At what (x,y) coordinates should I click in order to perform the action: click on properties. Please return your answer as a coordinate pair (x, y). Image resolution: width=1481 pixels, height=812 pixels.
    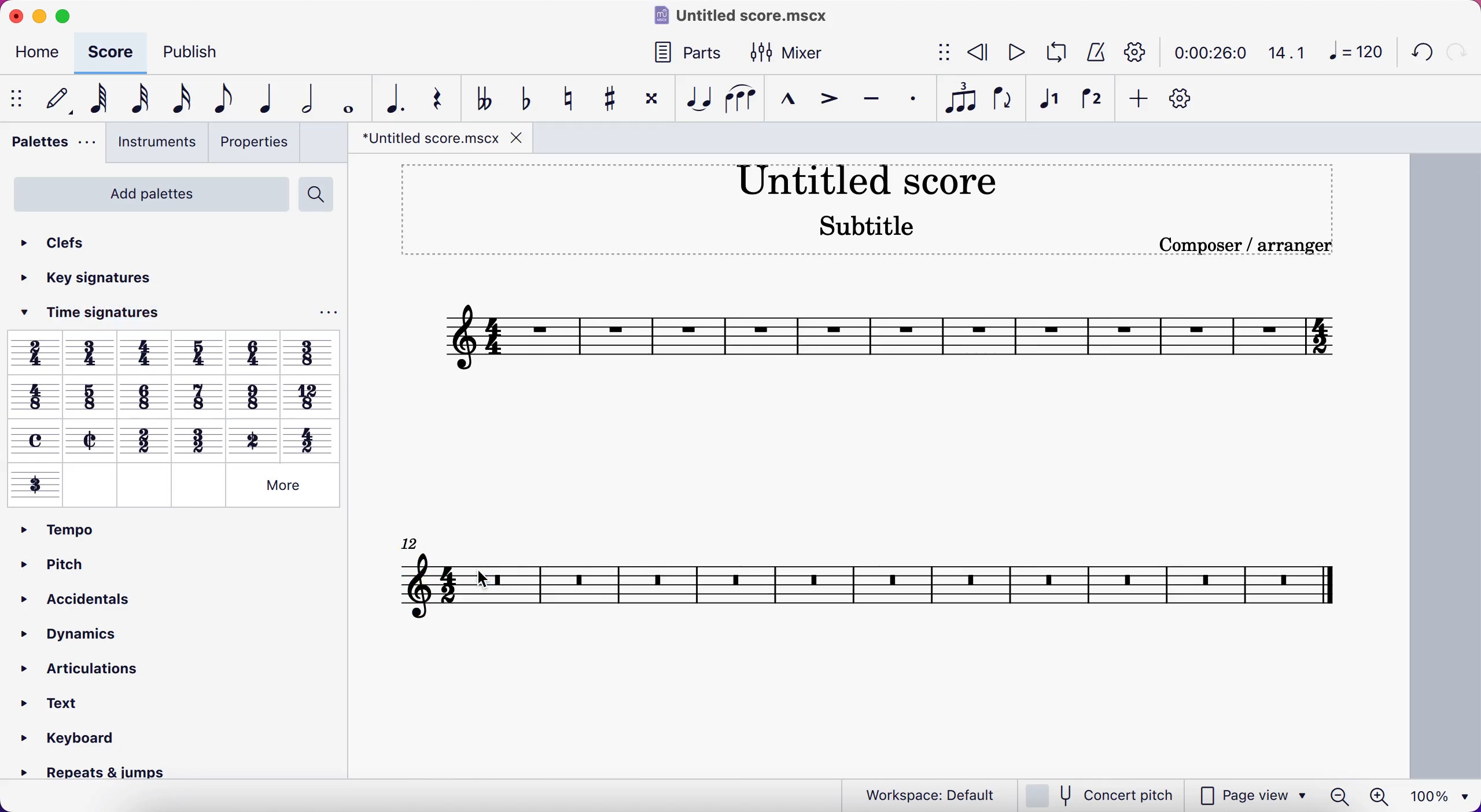
    Looking at the image, I should click on (256, 142).